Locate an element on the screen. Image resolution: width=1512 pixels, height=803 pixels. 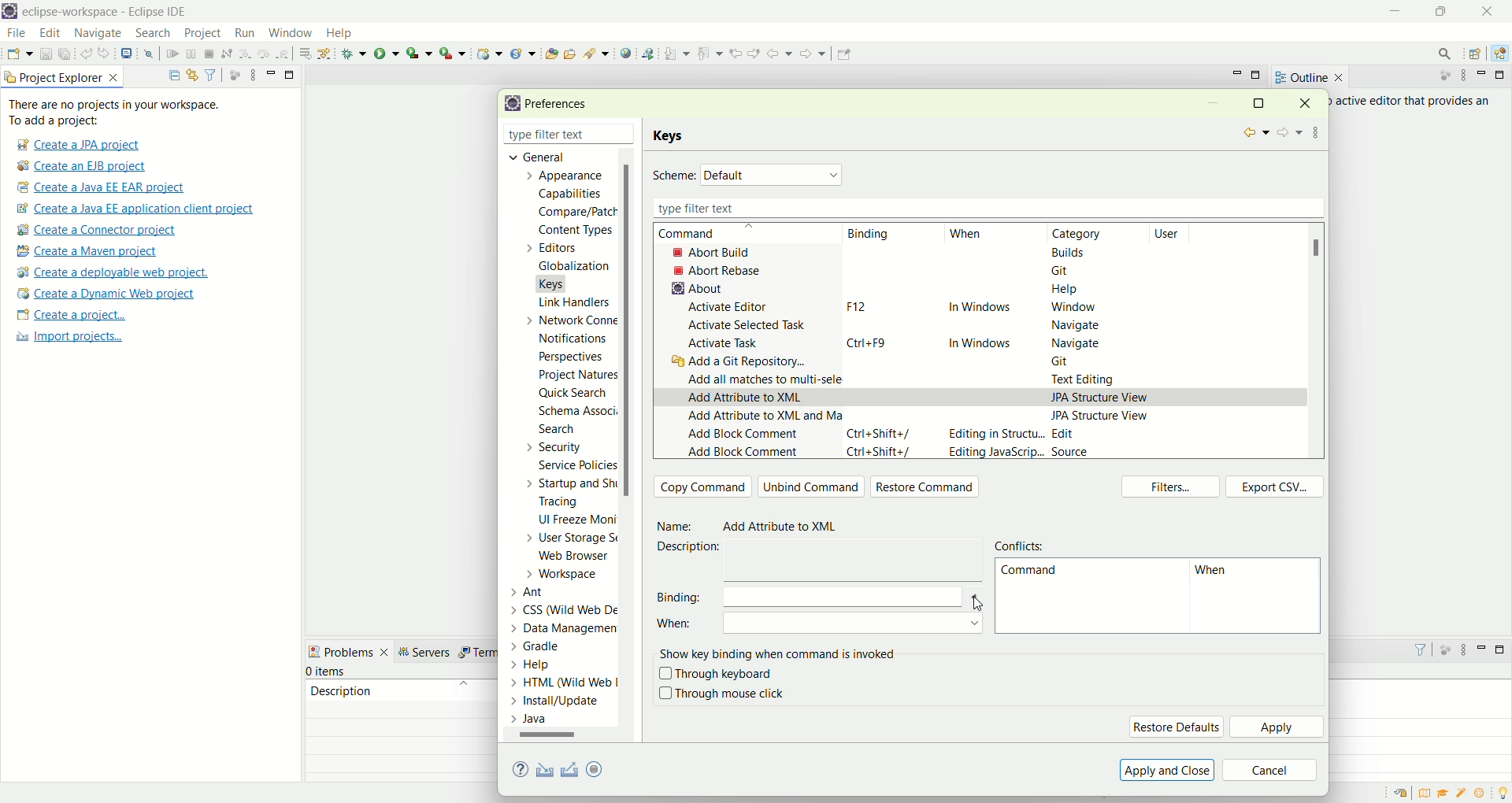
F12 is located at coordinates (854, 306).